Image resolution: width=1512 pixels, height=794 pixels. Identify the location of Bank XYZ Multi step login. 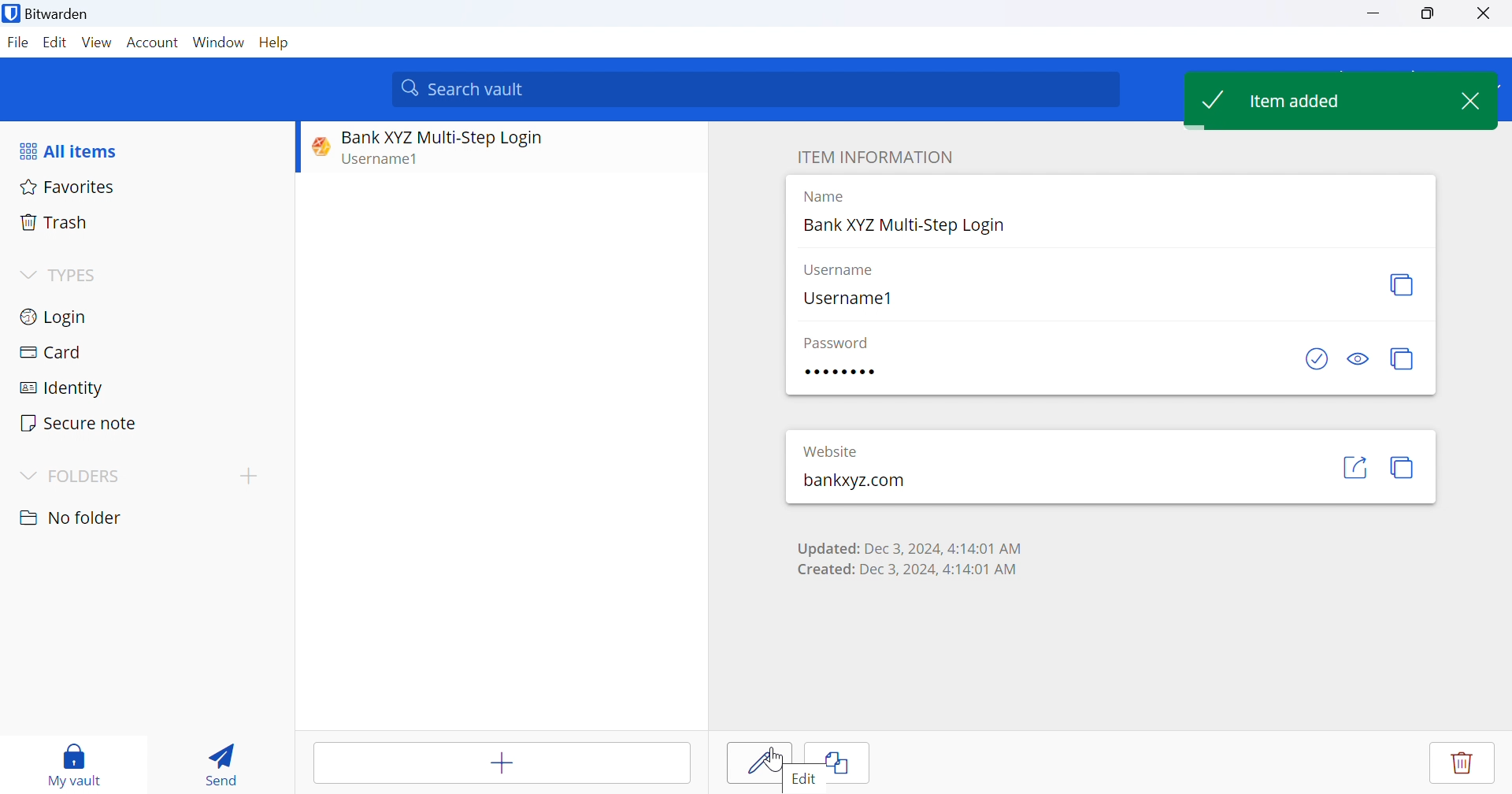
(455, 134).